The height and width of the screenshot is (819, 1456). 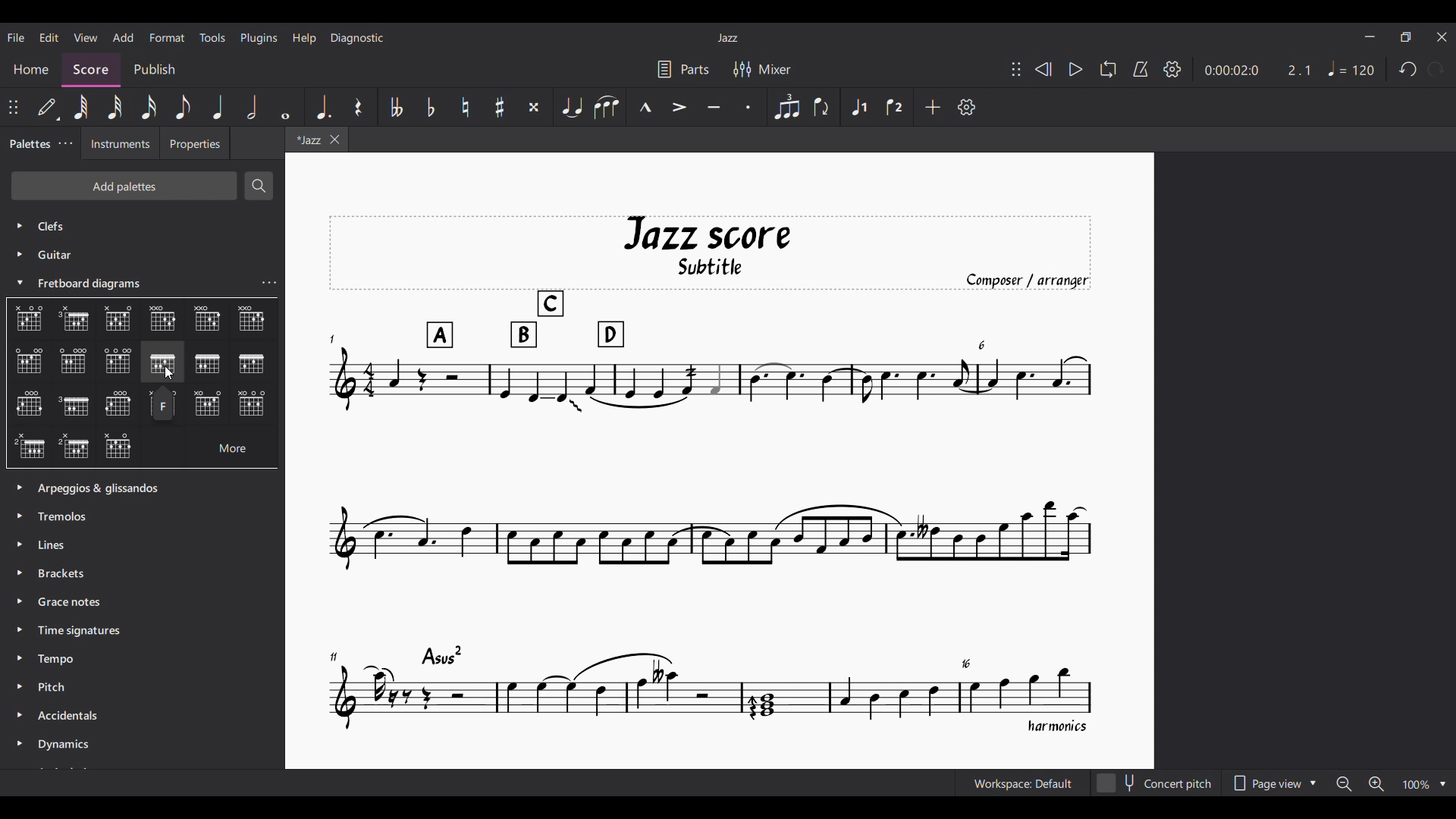 I want to click on Tie, so click(x=572, y=106).